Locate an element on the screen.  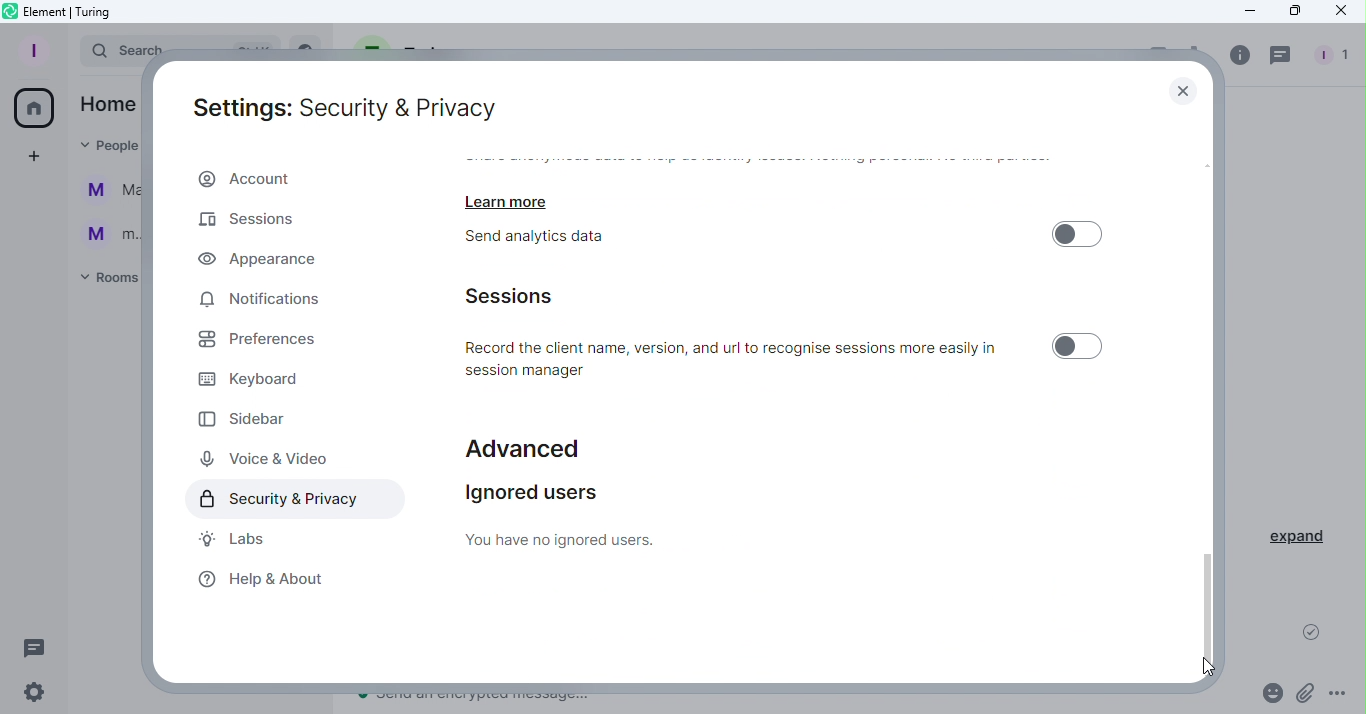
Sidebar is located at coordinates (249, 419).